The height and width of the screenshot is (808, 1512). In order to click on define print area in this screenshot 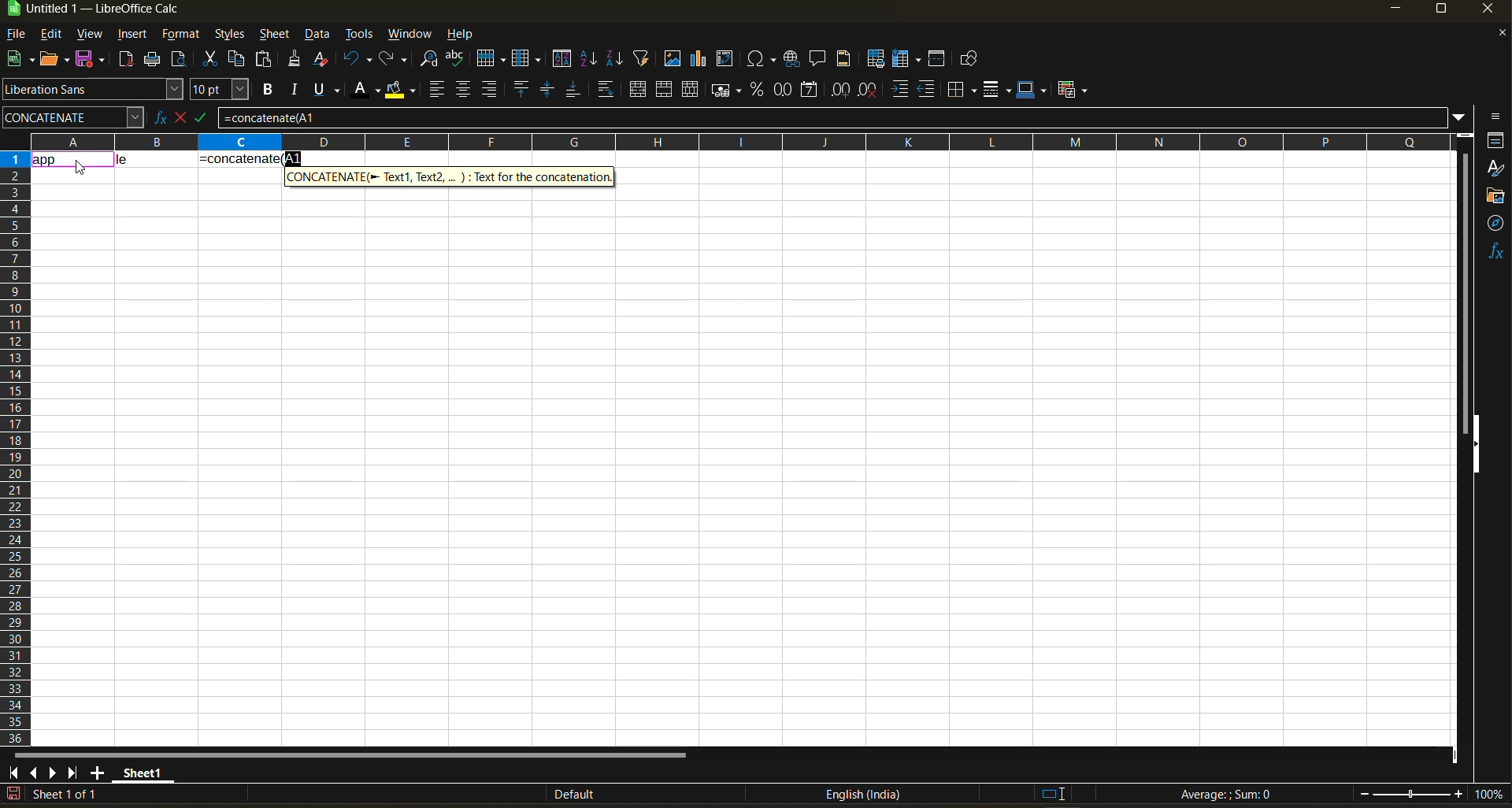, I will do `click(875, 59)`.